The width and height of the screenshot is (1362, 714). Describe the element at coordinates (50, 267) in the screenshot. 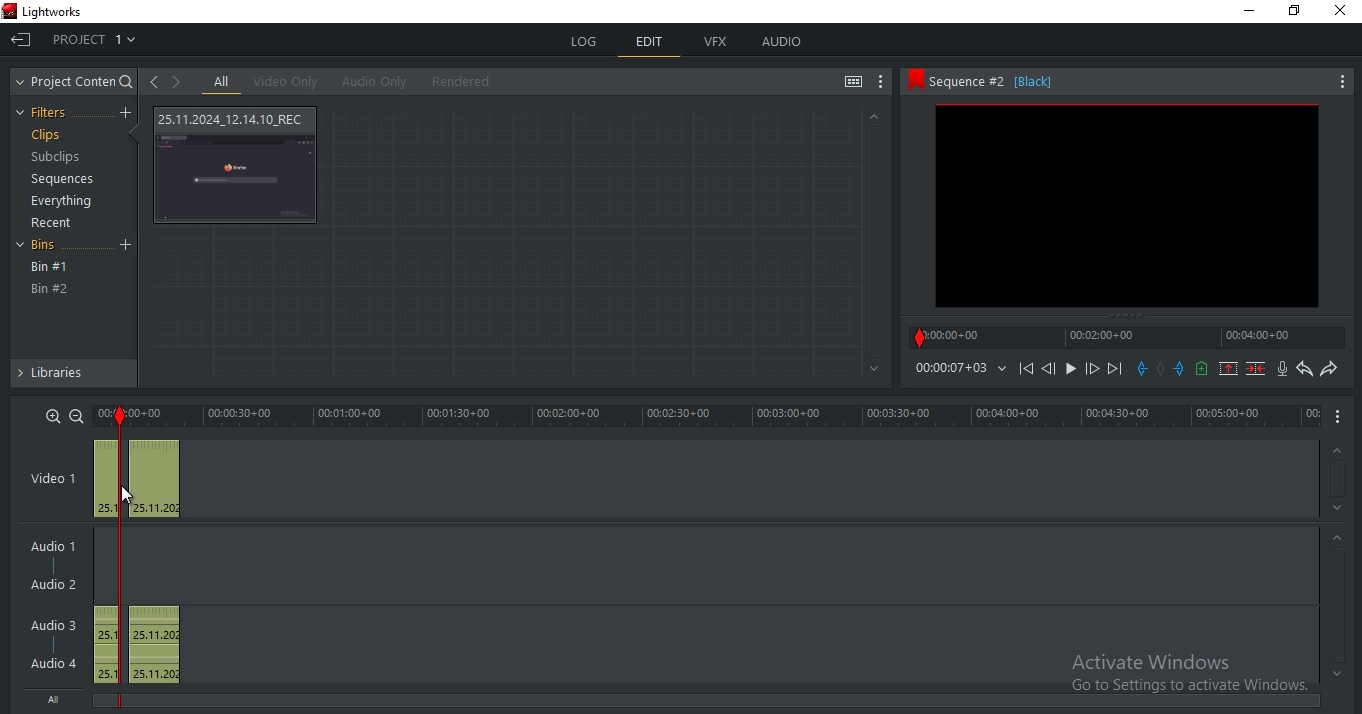

I see `bin #1` at that location.